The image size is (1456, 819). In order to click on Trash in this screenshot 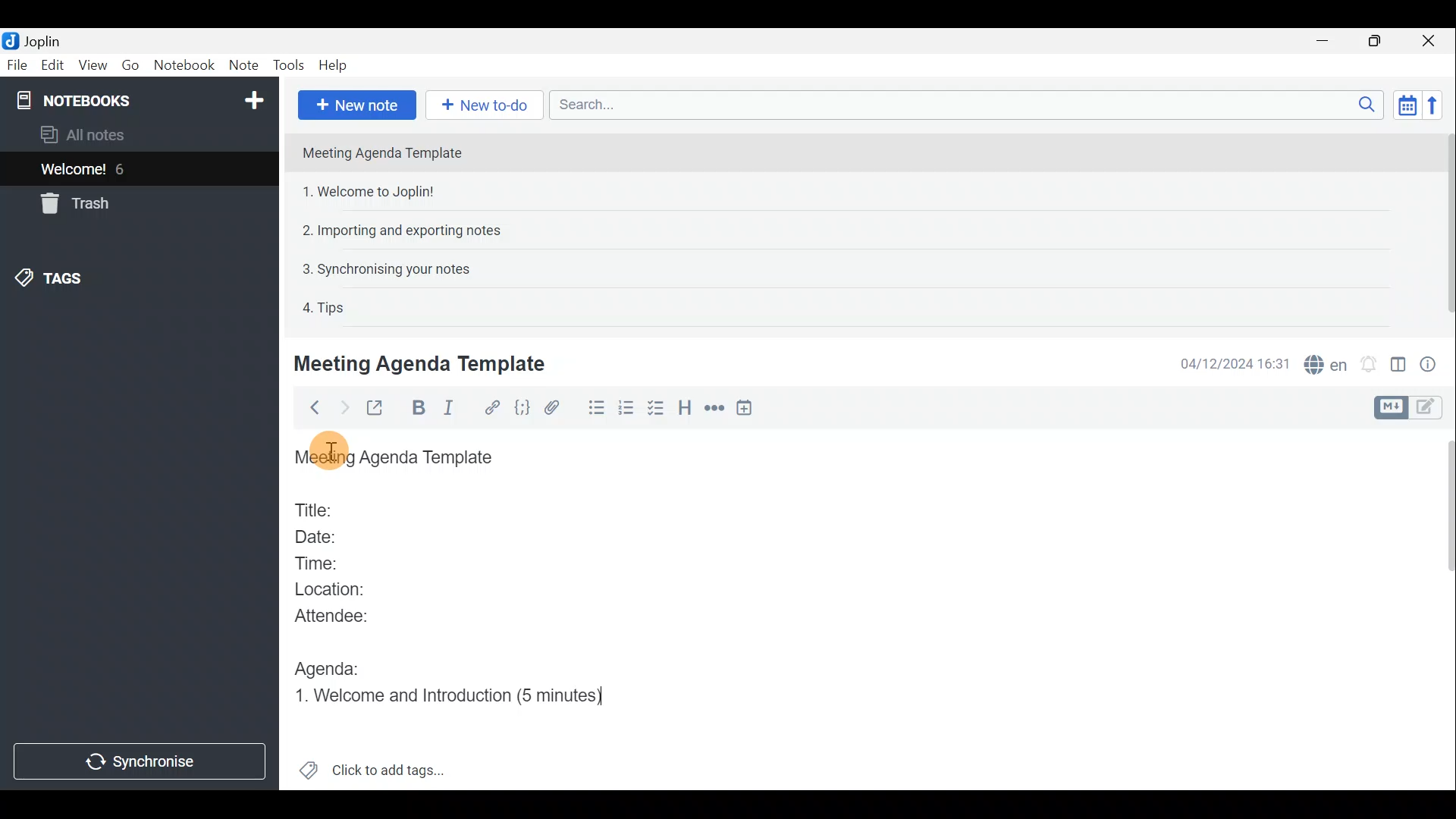, I will do `click(72, 203)`.